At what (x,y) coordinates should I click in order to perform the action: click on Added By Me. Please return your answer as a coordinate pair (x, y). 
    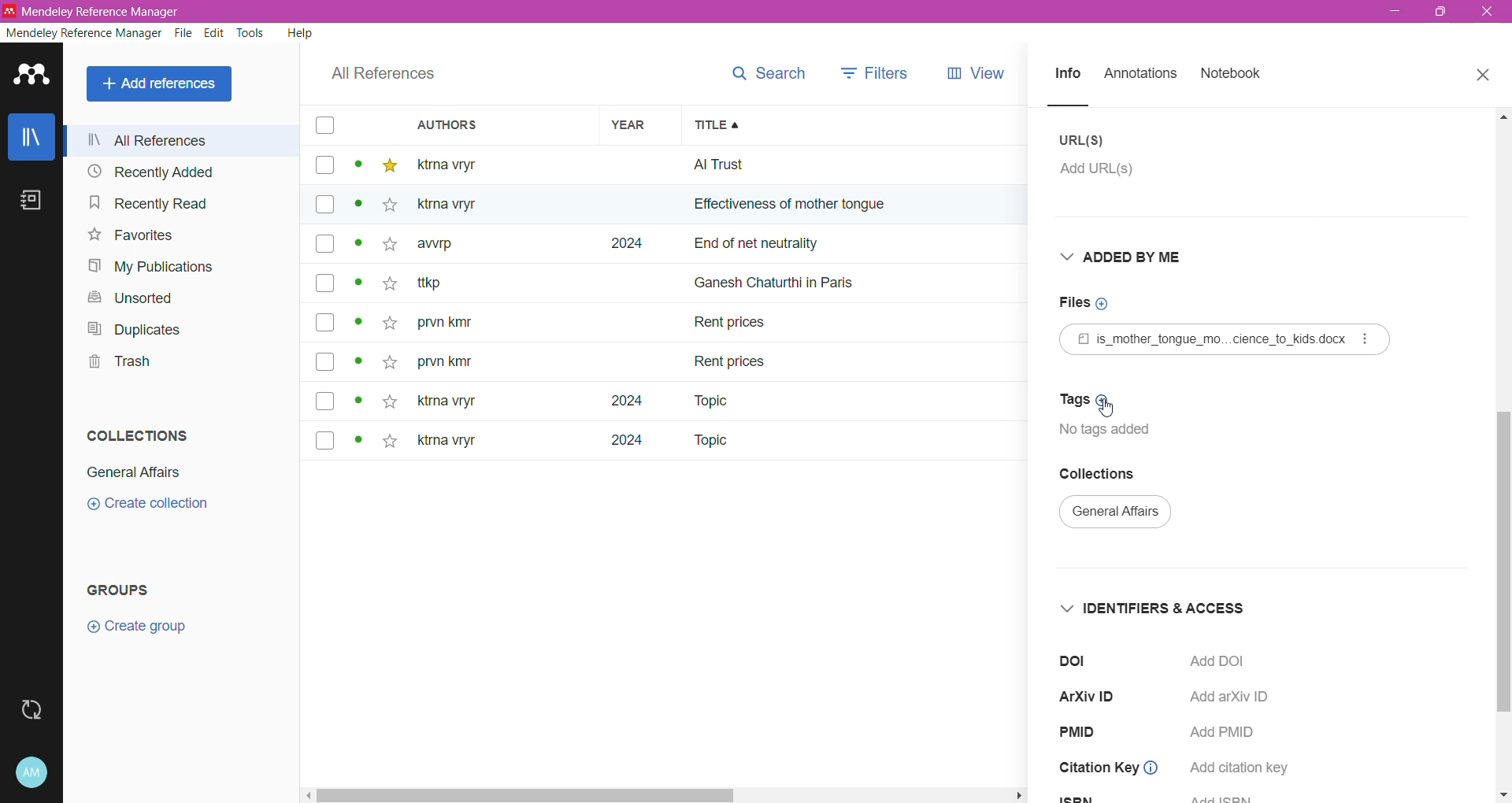
    Looking at the image, I should click on (1132, 257).